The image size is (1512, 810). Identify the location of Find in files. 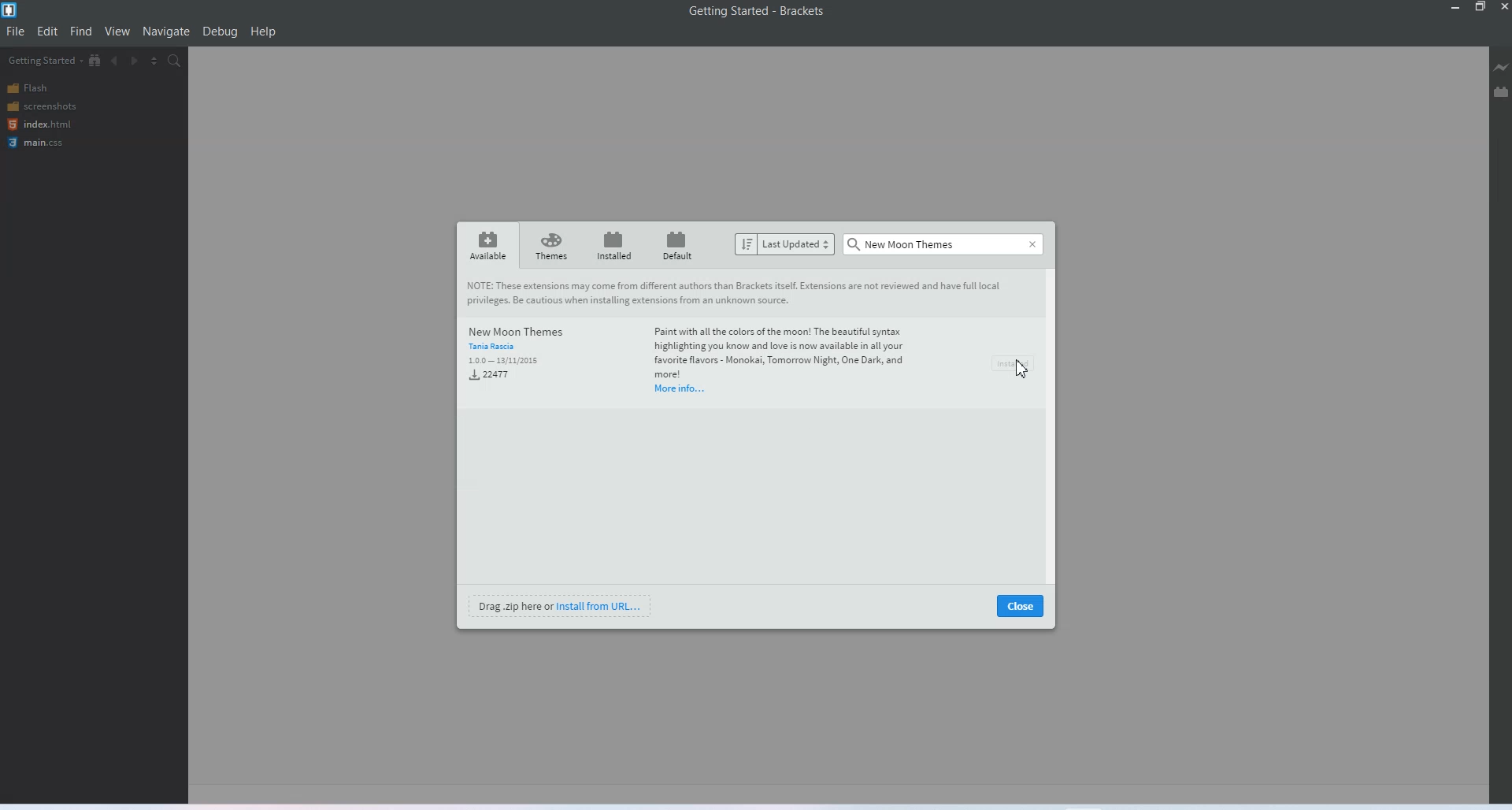
(175, 61).